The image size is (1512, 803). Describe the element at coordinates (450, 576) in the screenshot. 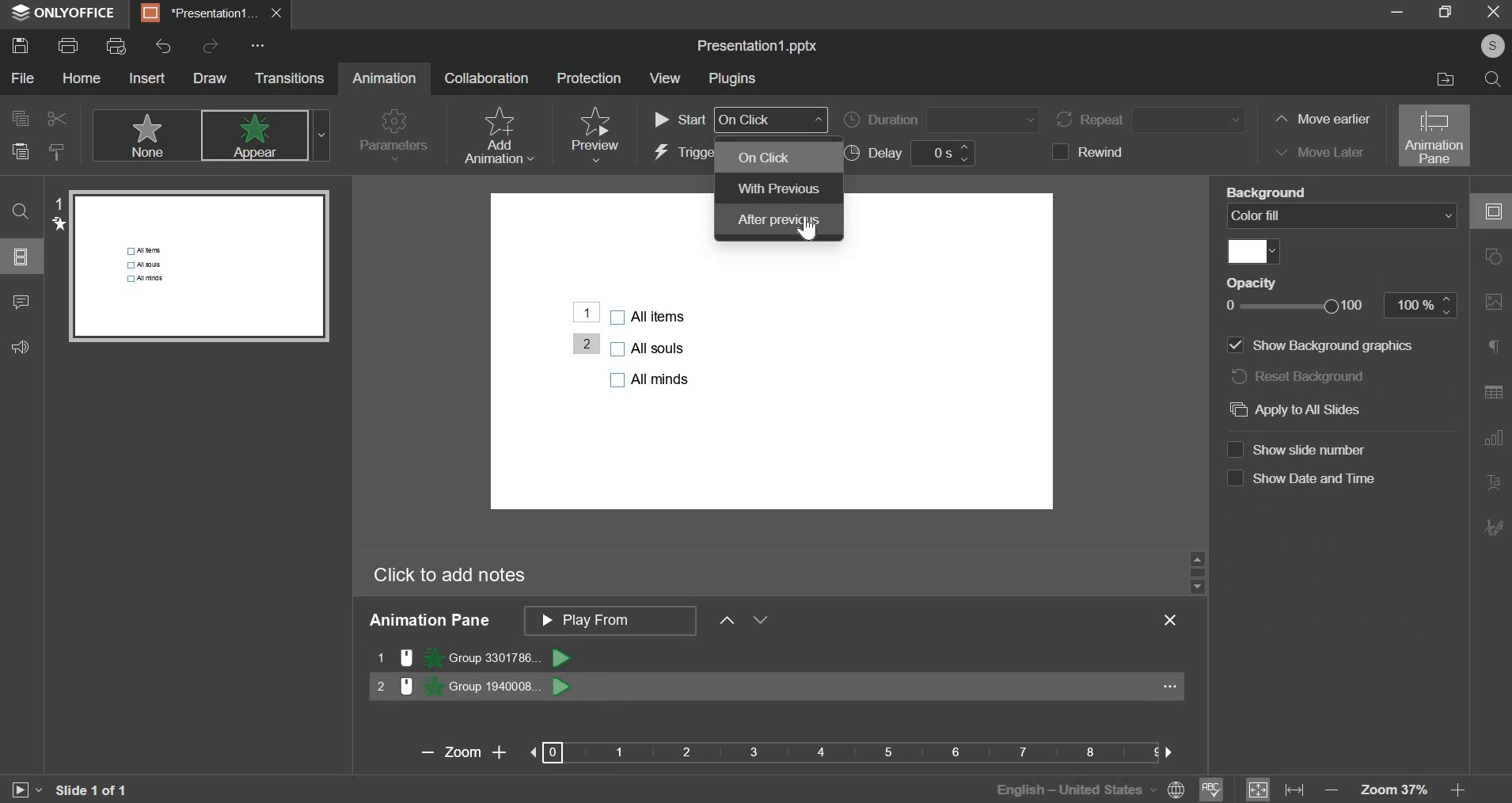

I see `click to add notes` at that location.